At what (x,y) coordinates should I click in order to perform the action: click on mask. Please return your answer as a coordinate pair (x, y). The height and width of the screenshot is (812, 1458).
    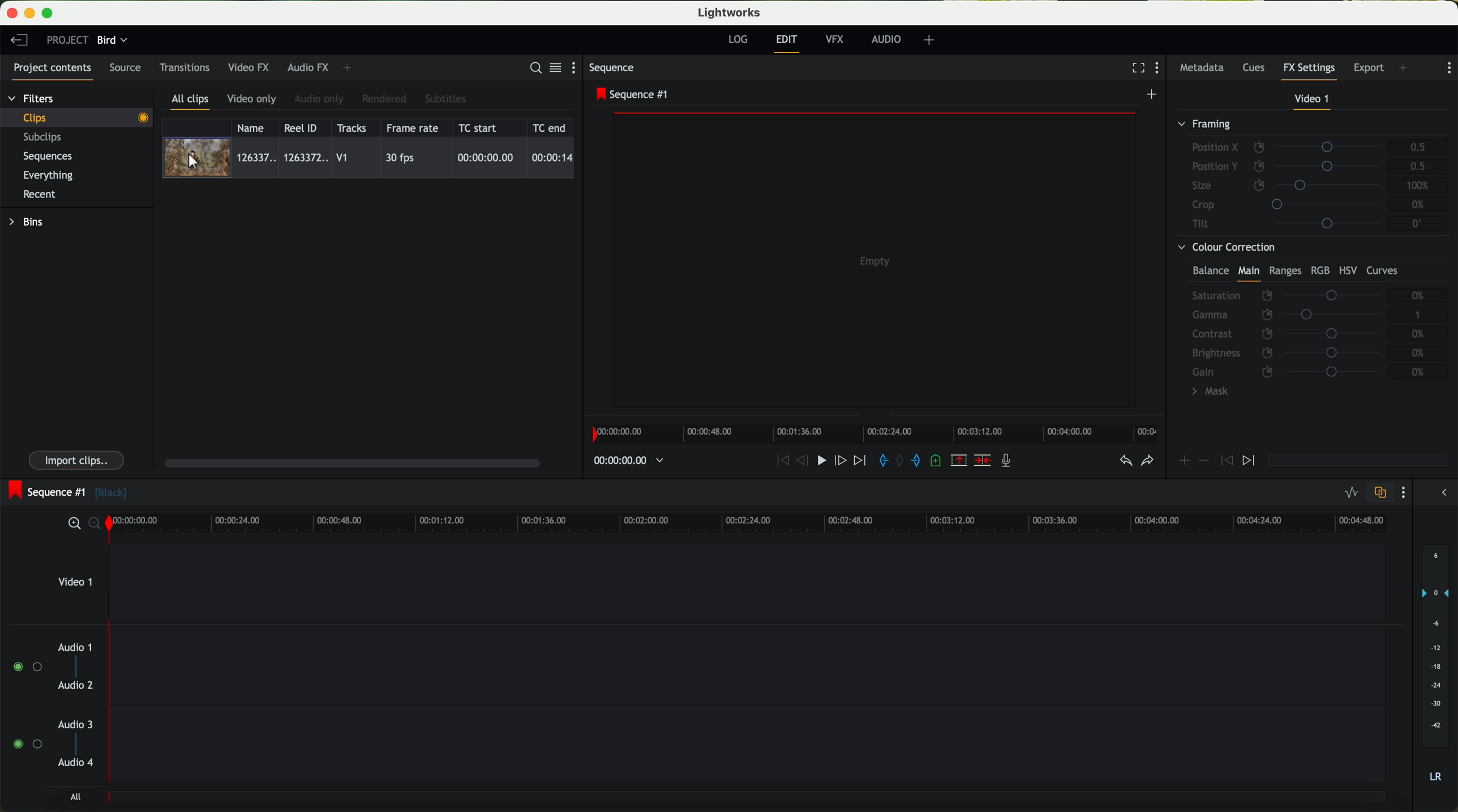
    Looking at the image, I should click on (1208, 393).